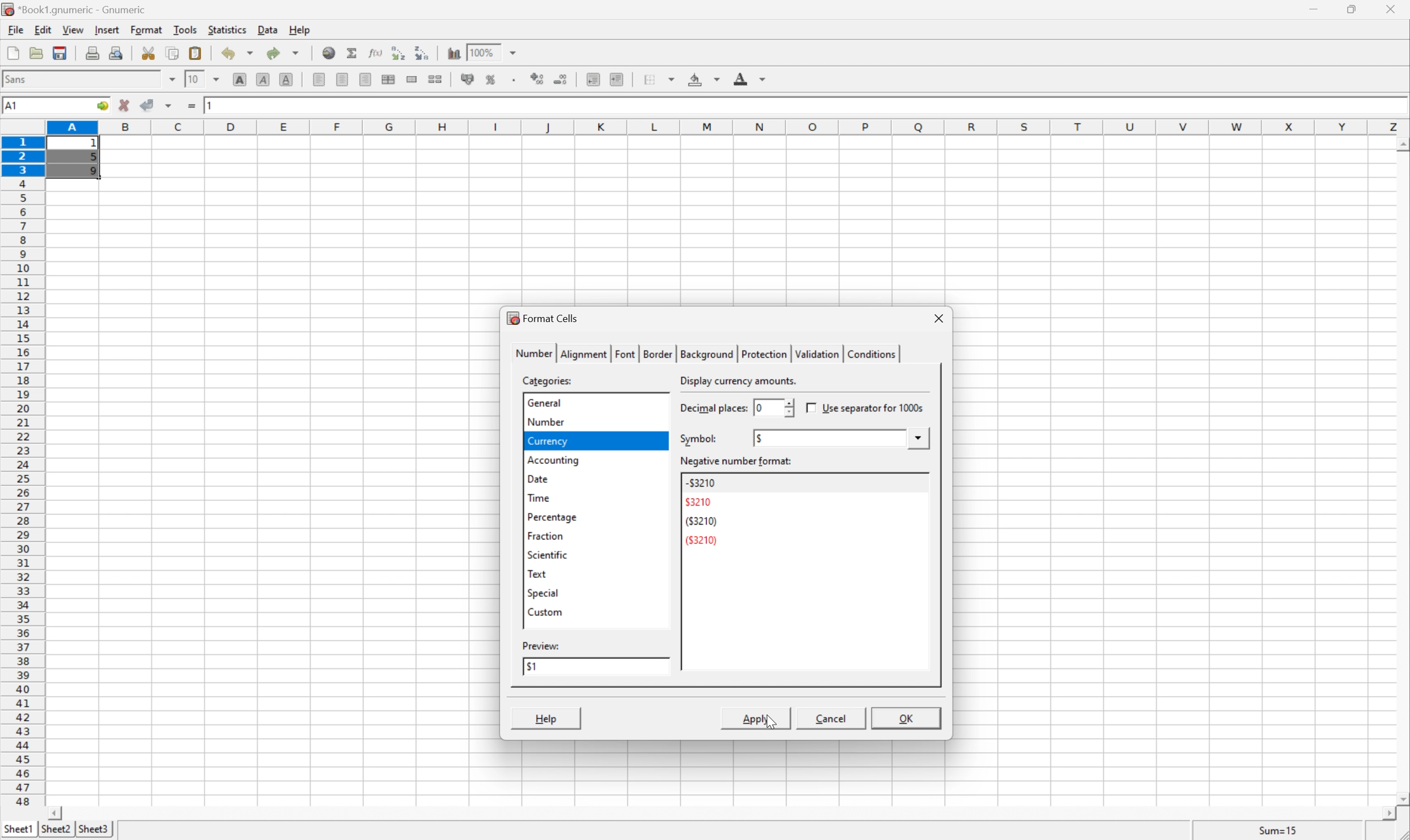  What do you see at coordinates (787, 407) in the screenshot?
I see `slider` at bounding box center [787, 407].